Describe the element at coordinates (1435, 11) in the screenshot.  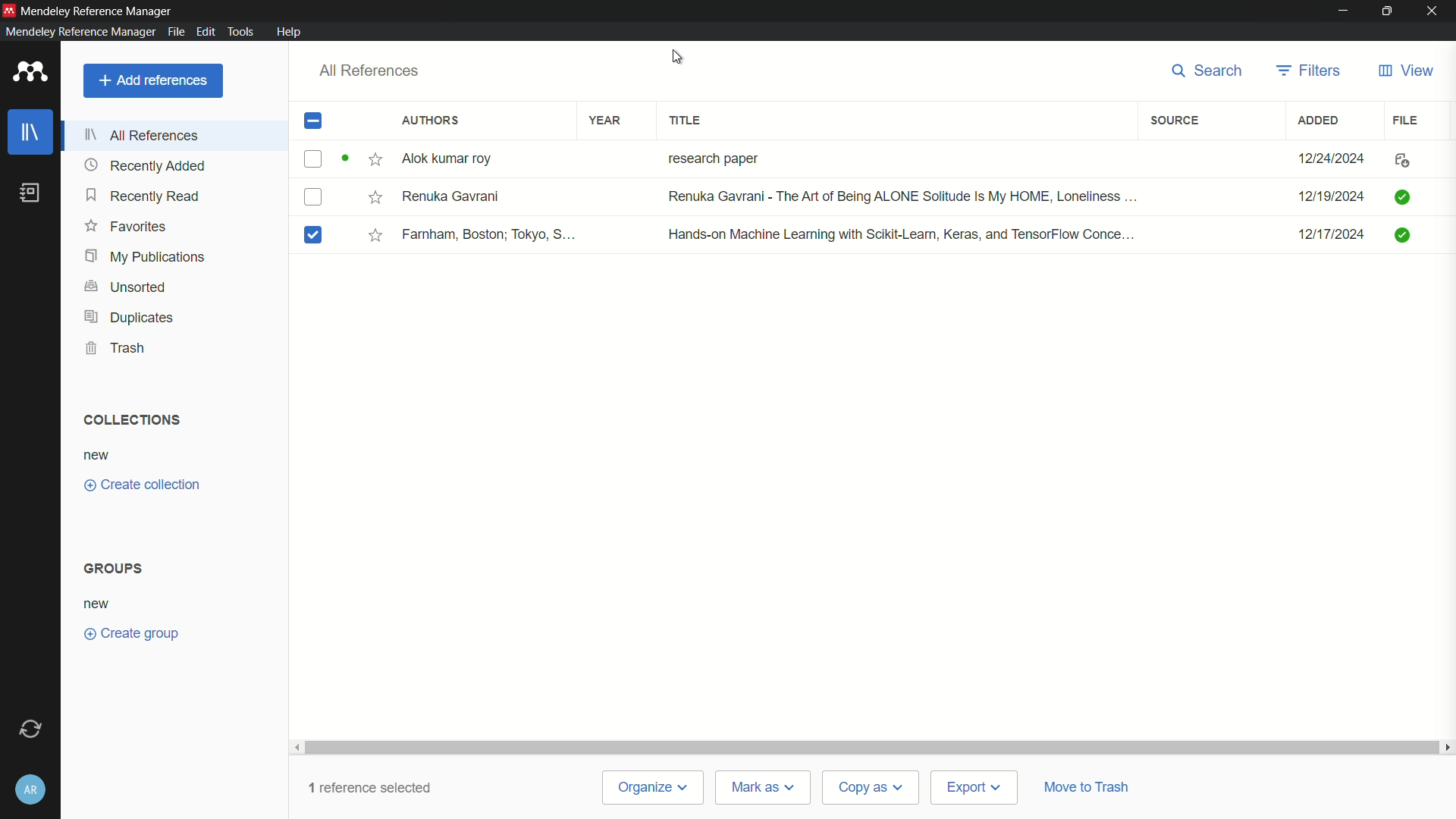
I see `close app` at that location.